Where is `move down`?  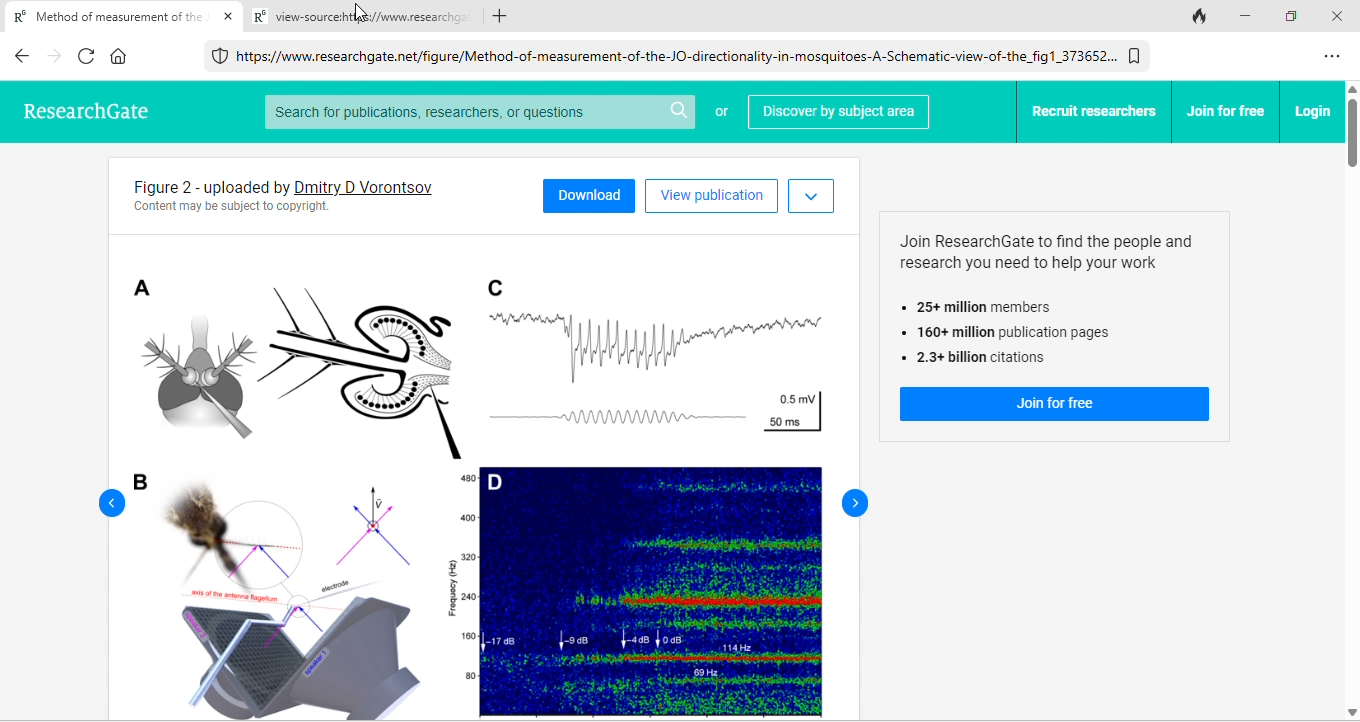
move down is located at coordinates (1352, 711).